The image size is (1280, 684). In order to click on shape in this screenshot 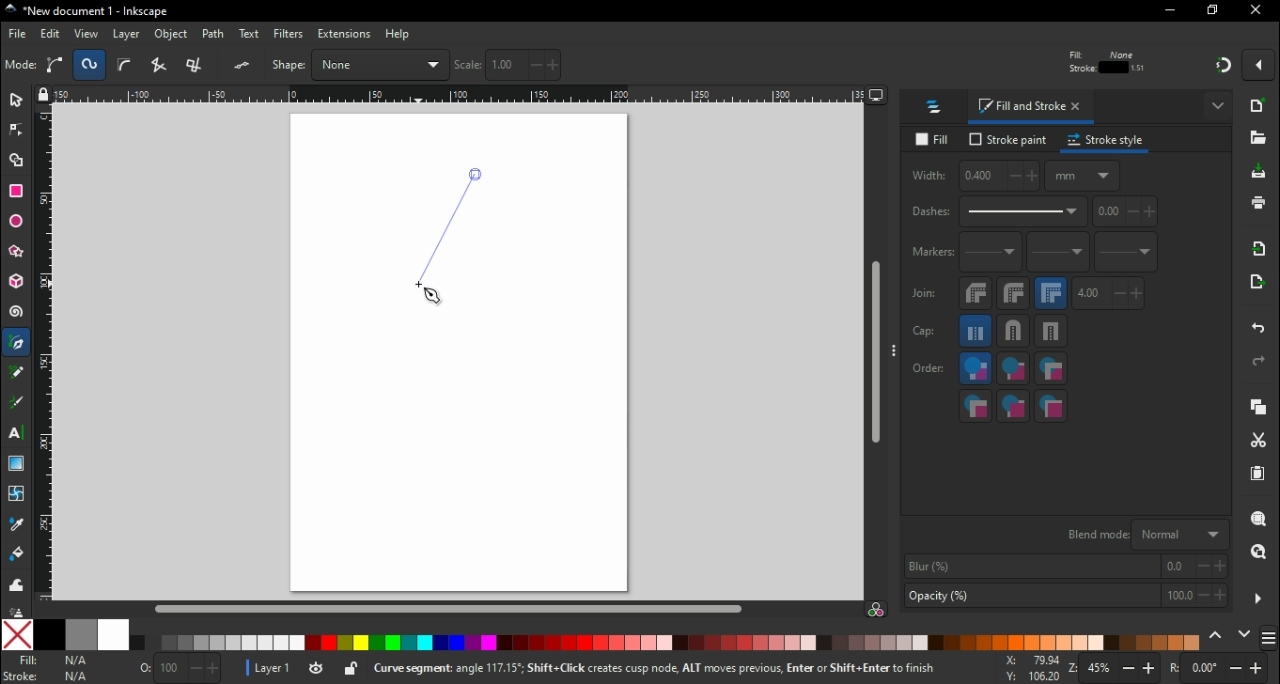, I will do `click(360, 64)`.